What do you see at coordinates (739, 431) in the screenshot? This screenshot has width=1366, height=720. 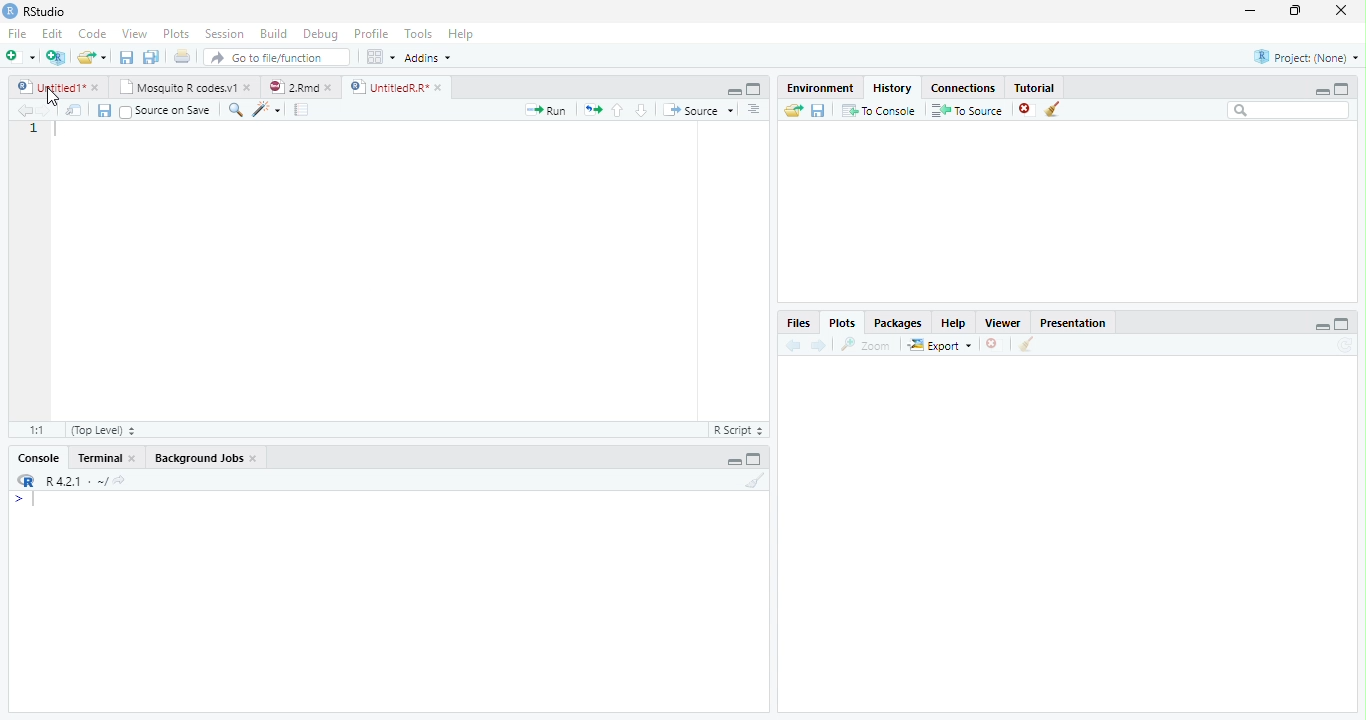 I see `R Script` at bounding box center [739, 431].